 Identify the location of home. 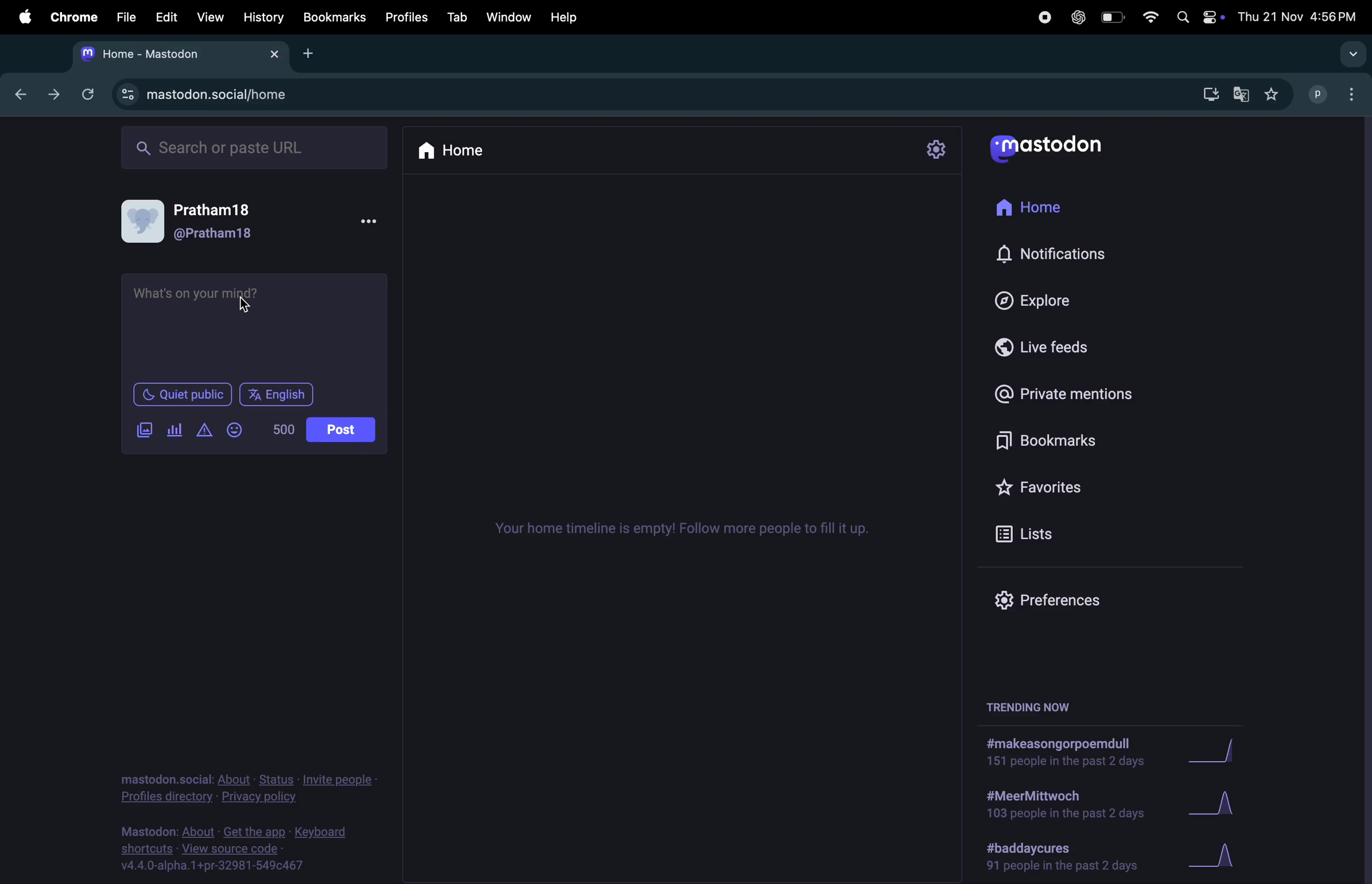
(458, 151).